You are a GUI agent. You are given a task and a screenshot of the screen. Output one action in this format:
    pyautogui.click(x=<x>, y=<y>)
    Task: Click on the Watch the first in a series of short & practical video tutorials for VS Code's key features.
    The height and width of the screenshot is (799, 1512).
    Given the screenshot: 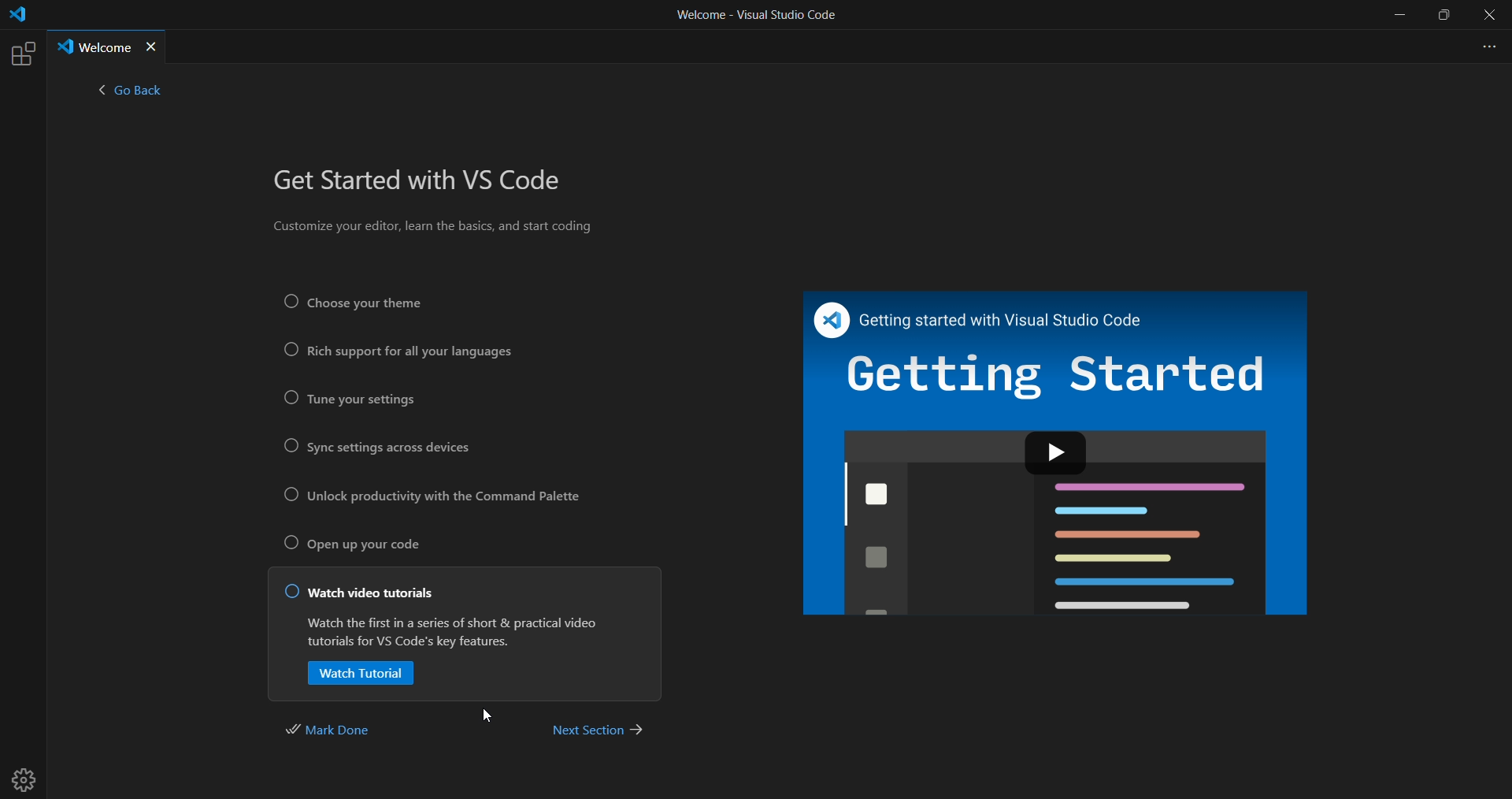 What is the action you would take?
    pyautogui.click(x=459, y=630)
    